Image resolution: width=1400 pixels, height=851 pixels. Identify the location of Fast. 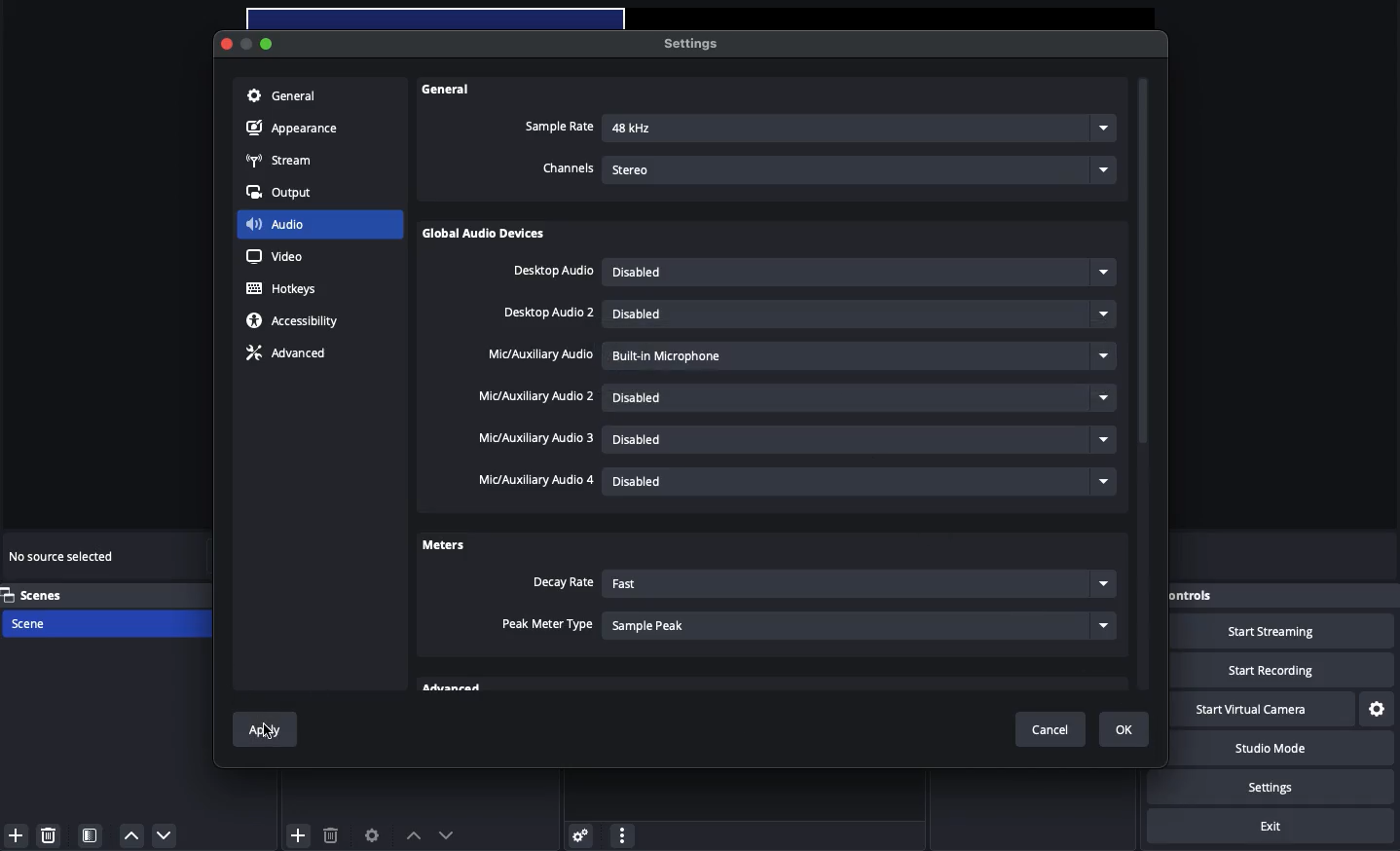
(857, 585).